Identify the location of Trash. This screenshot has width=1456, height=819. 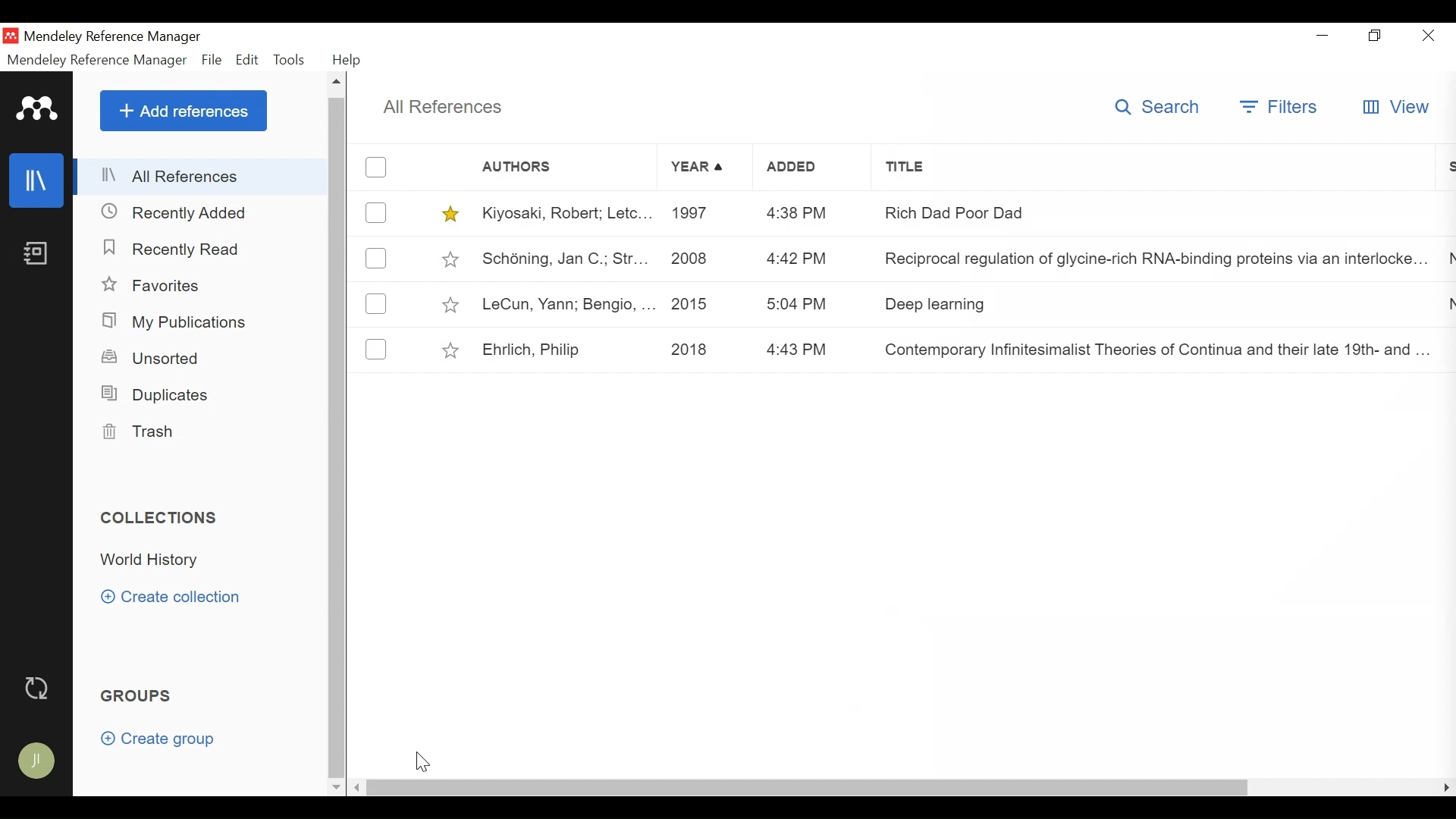
(139, 432).